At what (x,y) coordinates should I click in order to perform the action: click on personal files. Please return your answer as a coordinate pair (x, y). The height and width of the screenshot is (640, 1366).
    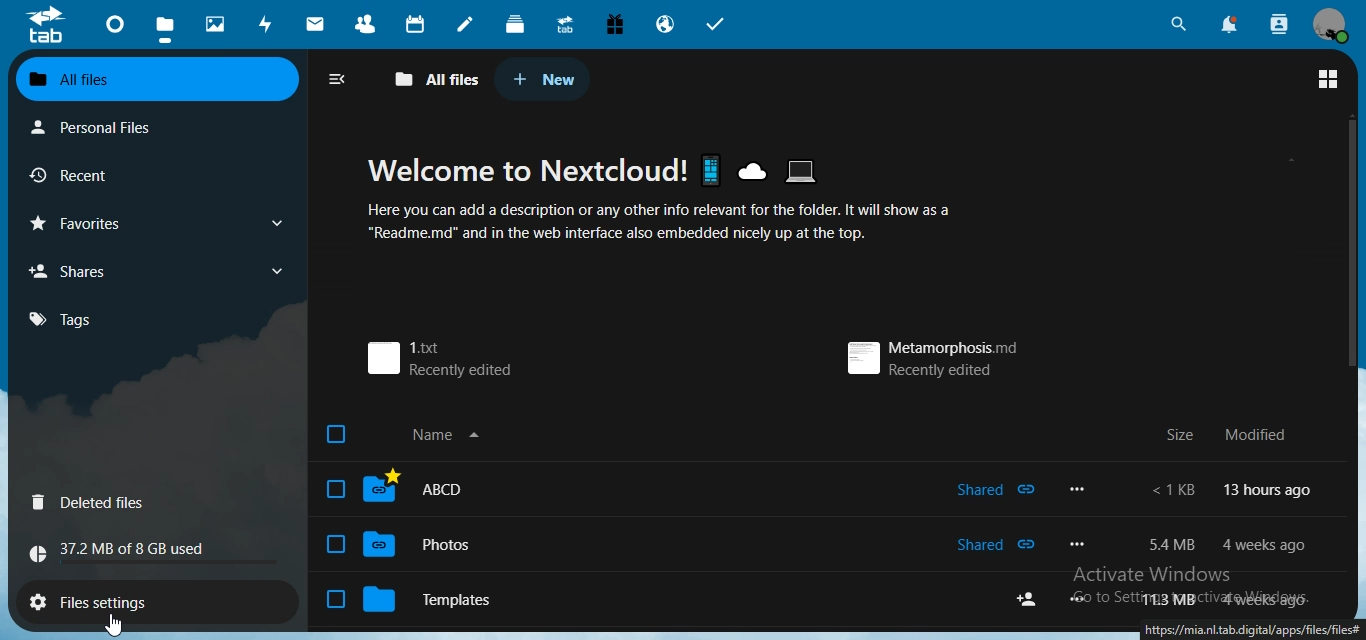
    Looking at the image, I should click on (103, 128).